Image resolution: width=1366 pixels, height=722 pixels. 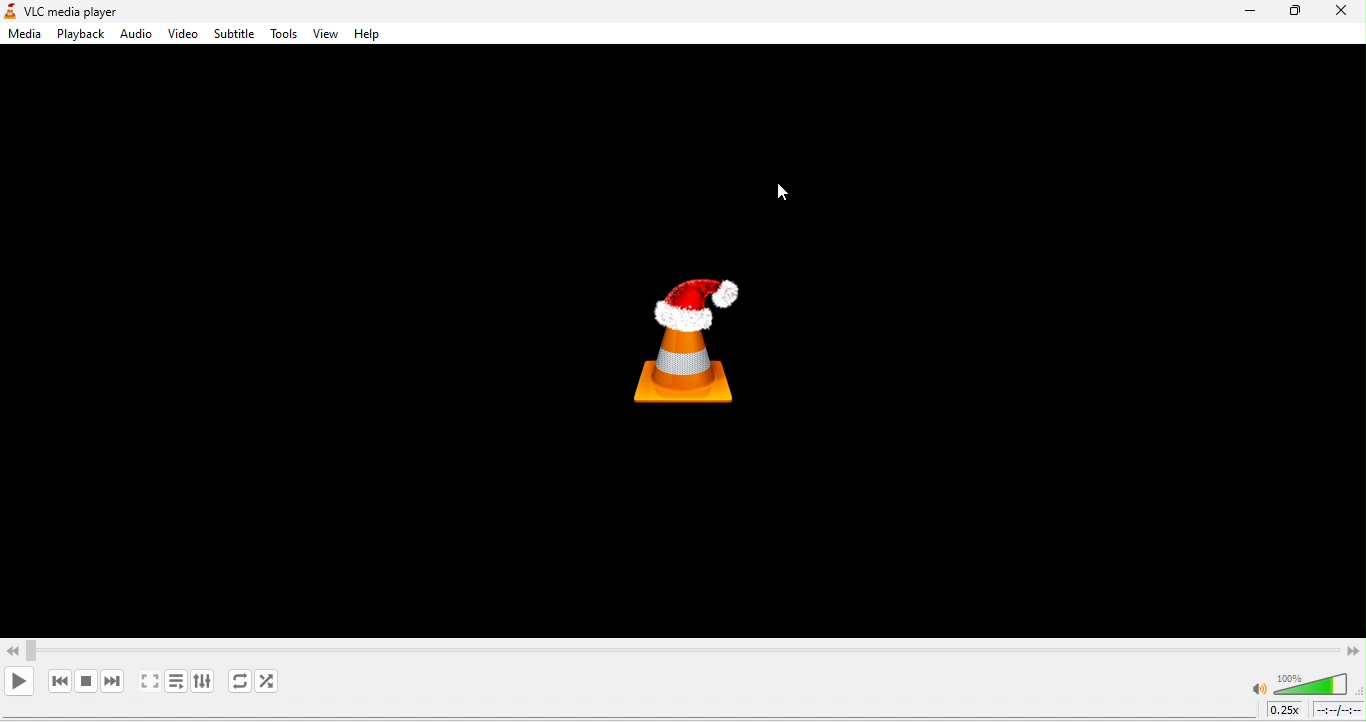 I want to click on video in full screen, so click(x=145, y=685).